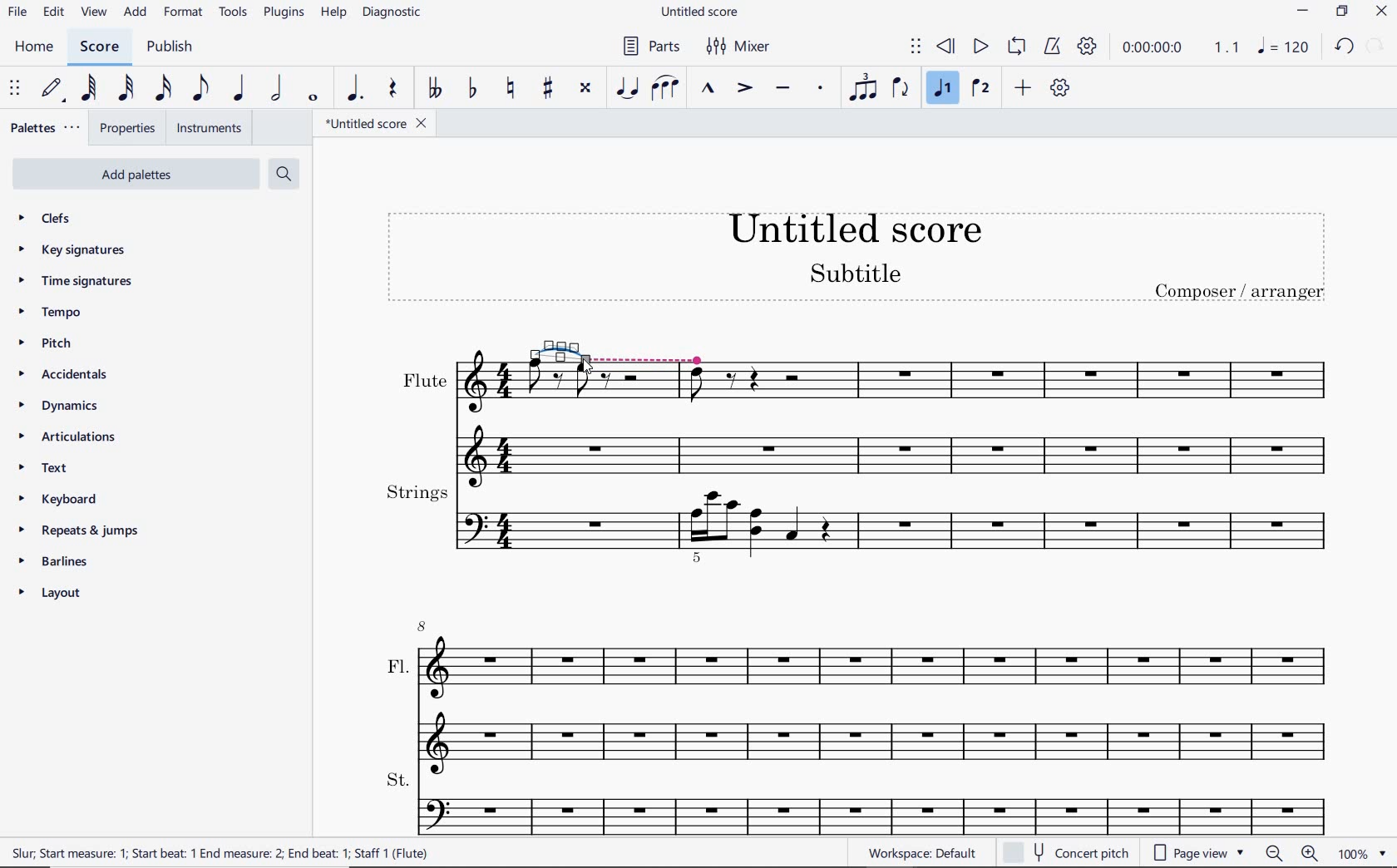  What do you see at coordinates (1341, 12) in the screenshot?
I see `restore down` at bounding box center [1341, 12].